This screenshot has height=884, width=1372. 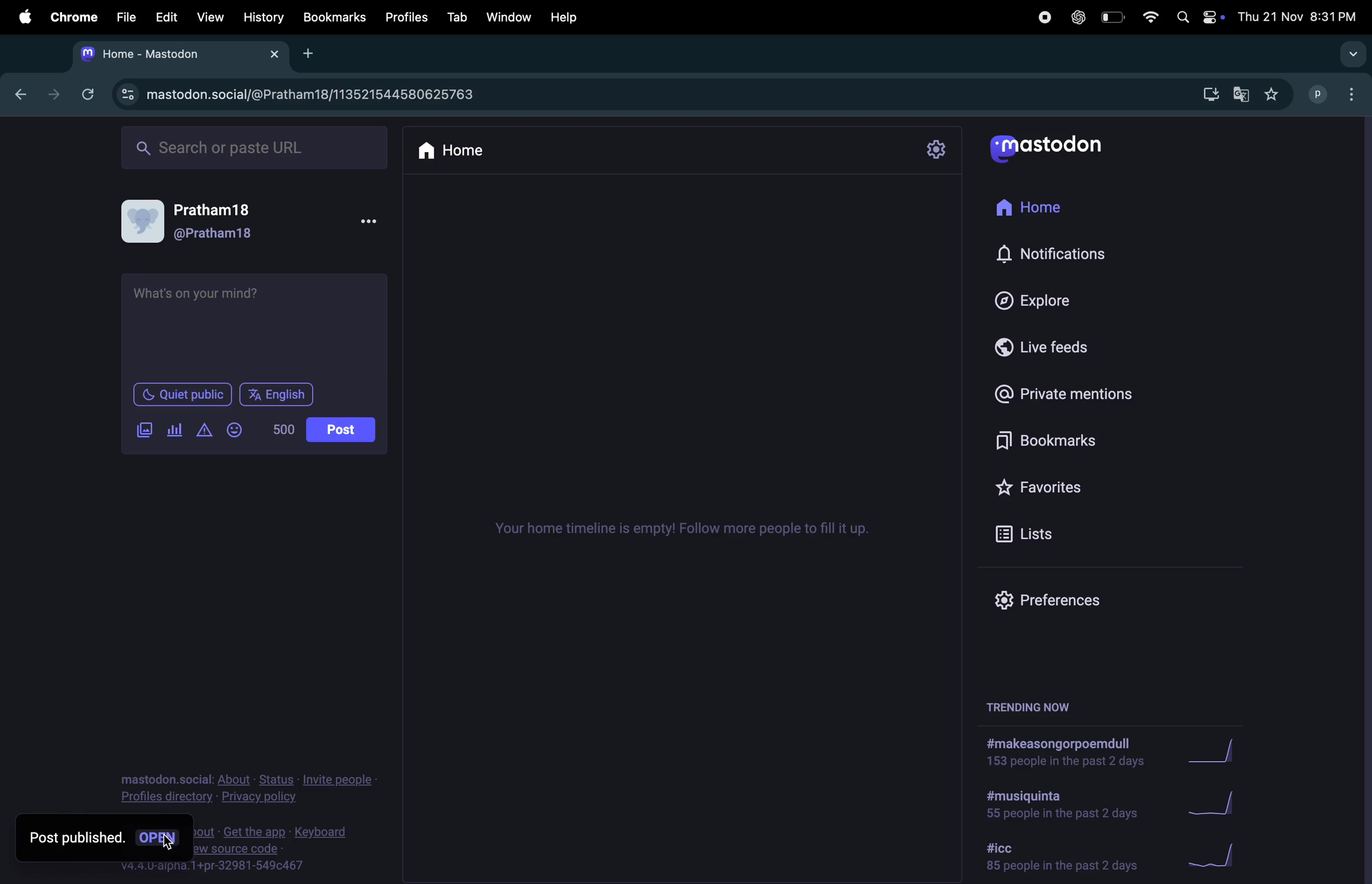 What do you see at coordinates (299, 96) in the screenshot?
I see `mastadon profile url` at bounding box center [299, 96].